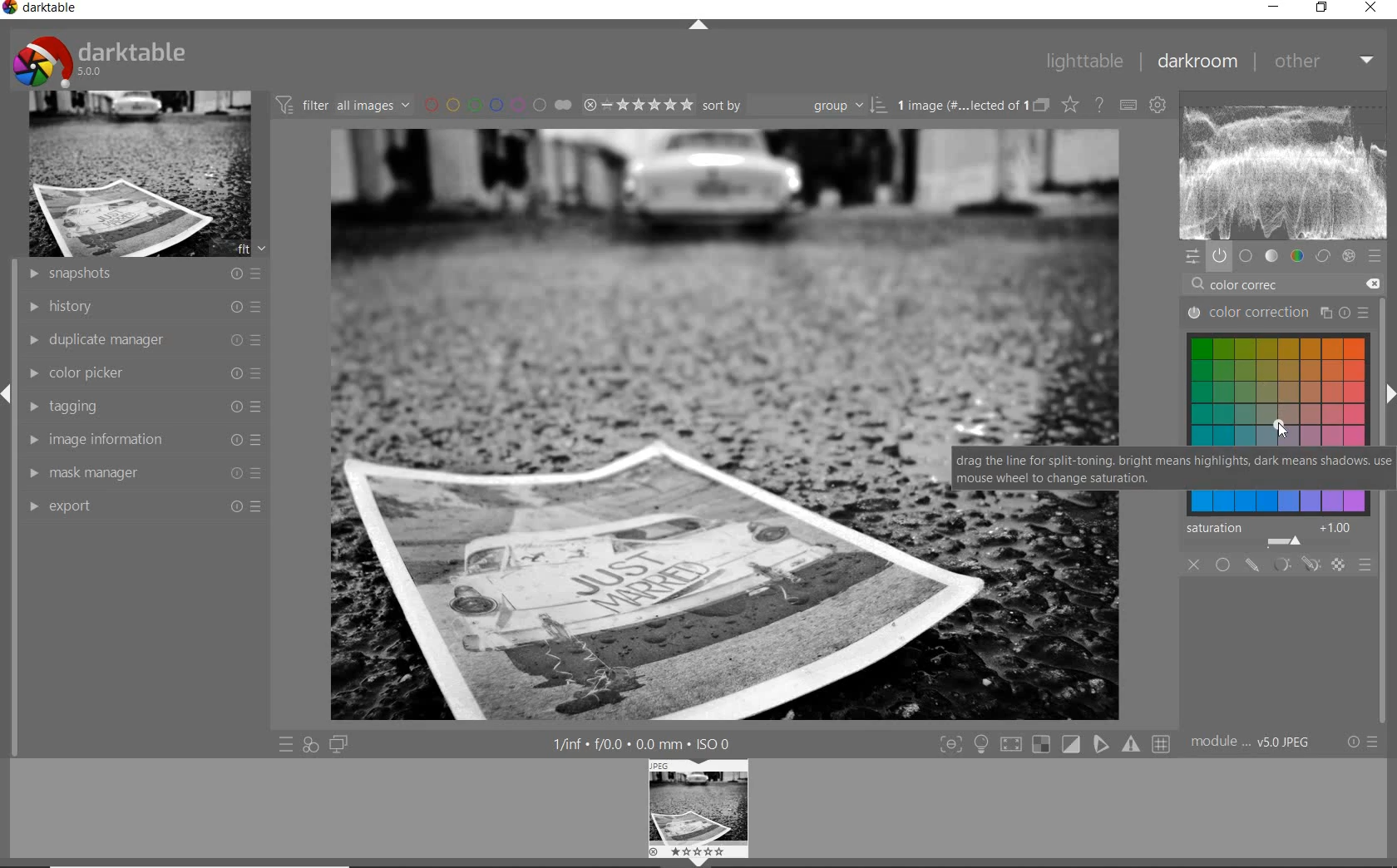 The image size is (1397, 868). Describe the element at coordinates (1192, 257) in the screenshot. I see `quick access panel` at that location.